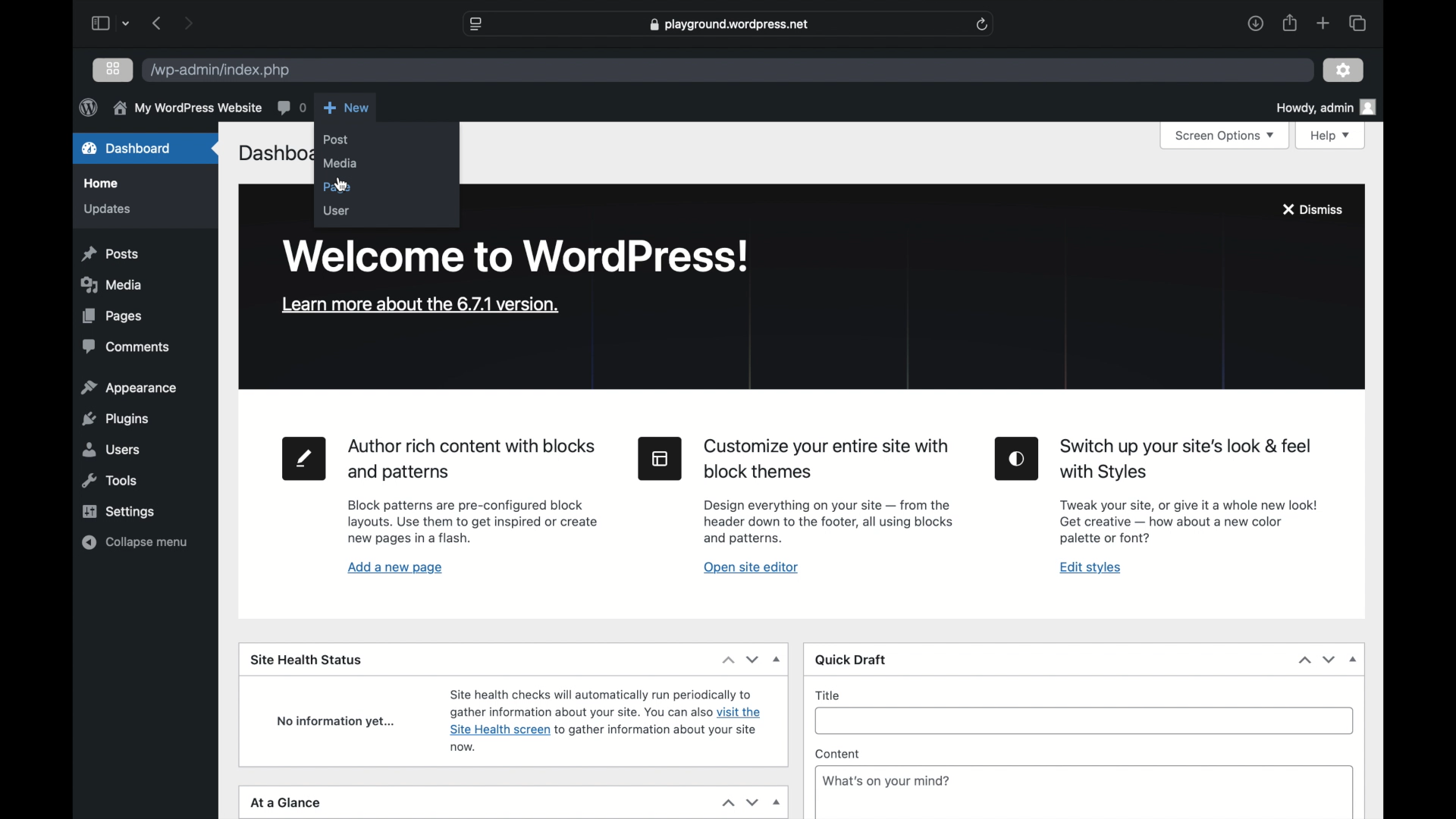 This screenshot has width=1456, height=819. What do you see at coordinates (88, 107) in the screenshot?
I see `wordpress` at bounding box center [88, 107].